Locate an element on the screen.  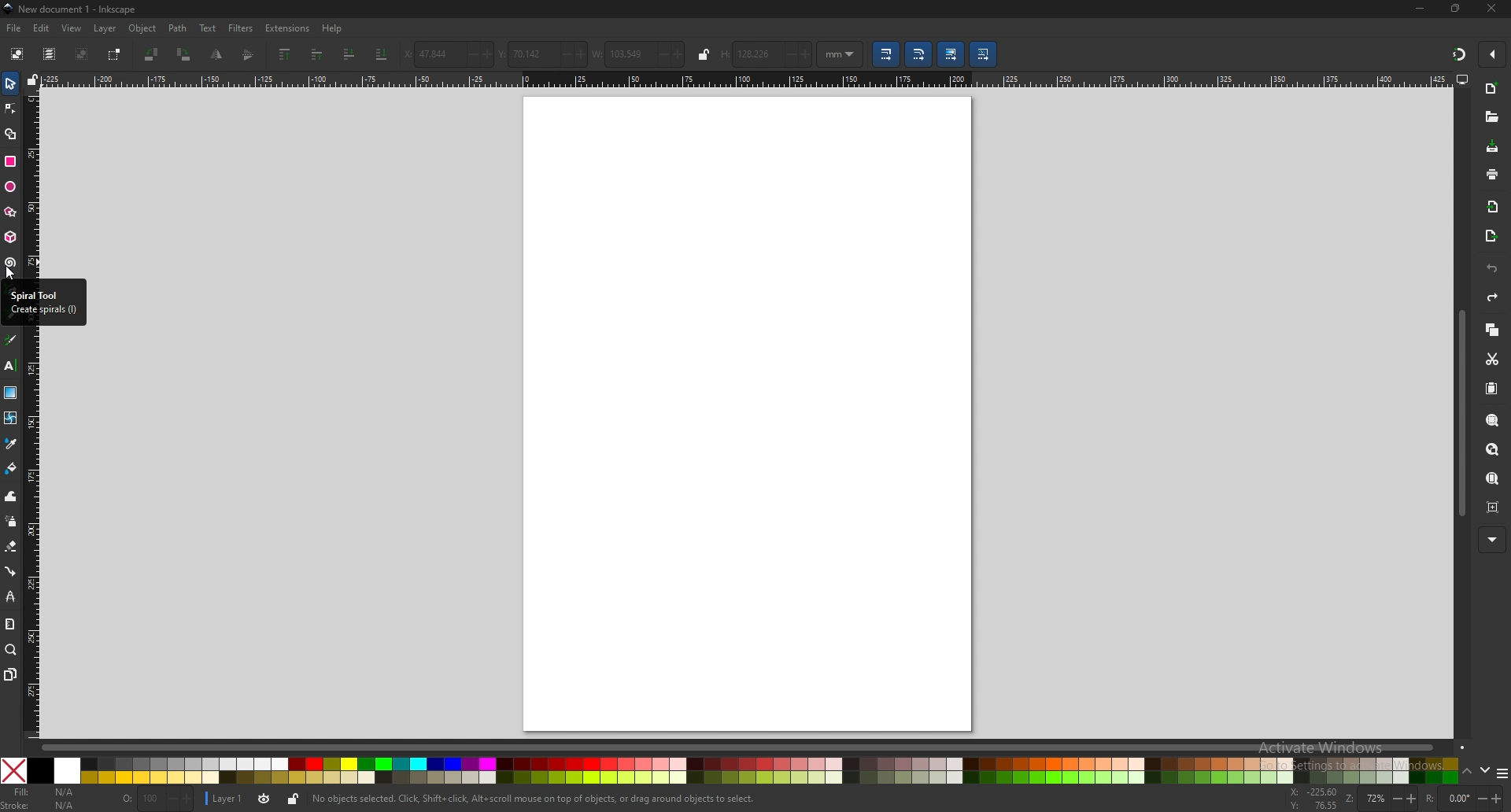
dropper is located at coordinates (12, 444).